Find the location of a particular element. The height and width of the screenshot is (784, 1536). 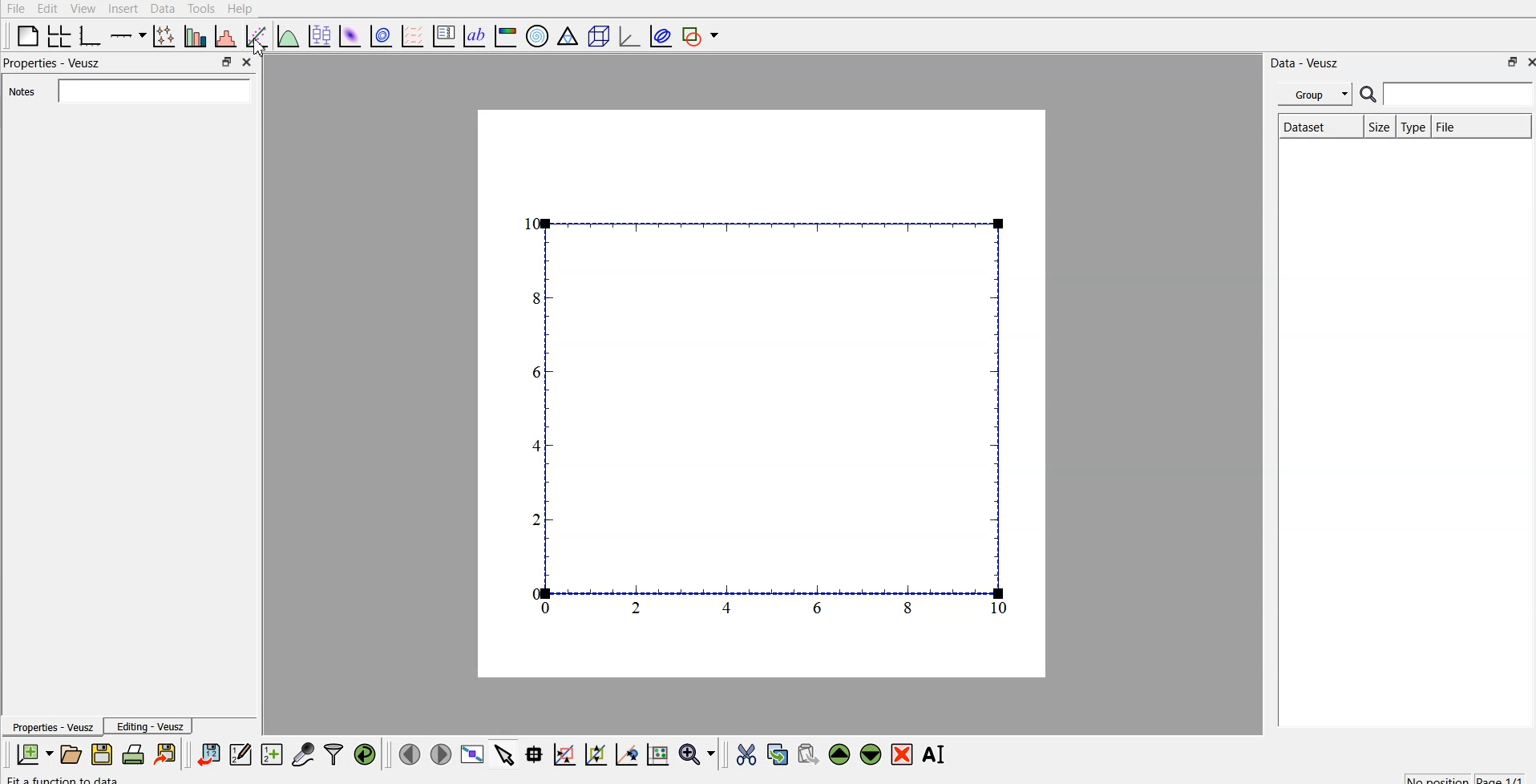

plot covariance ellipse is located at coordinates (663, 38).